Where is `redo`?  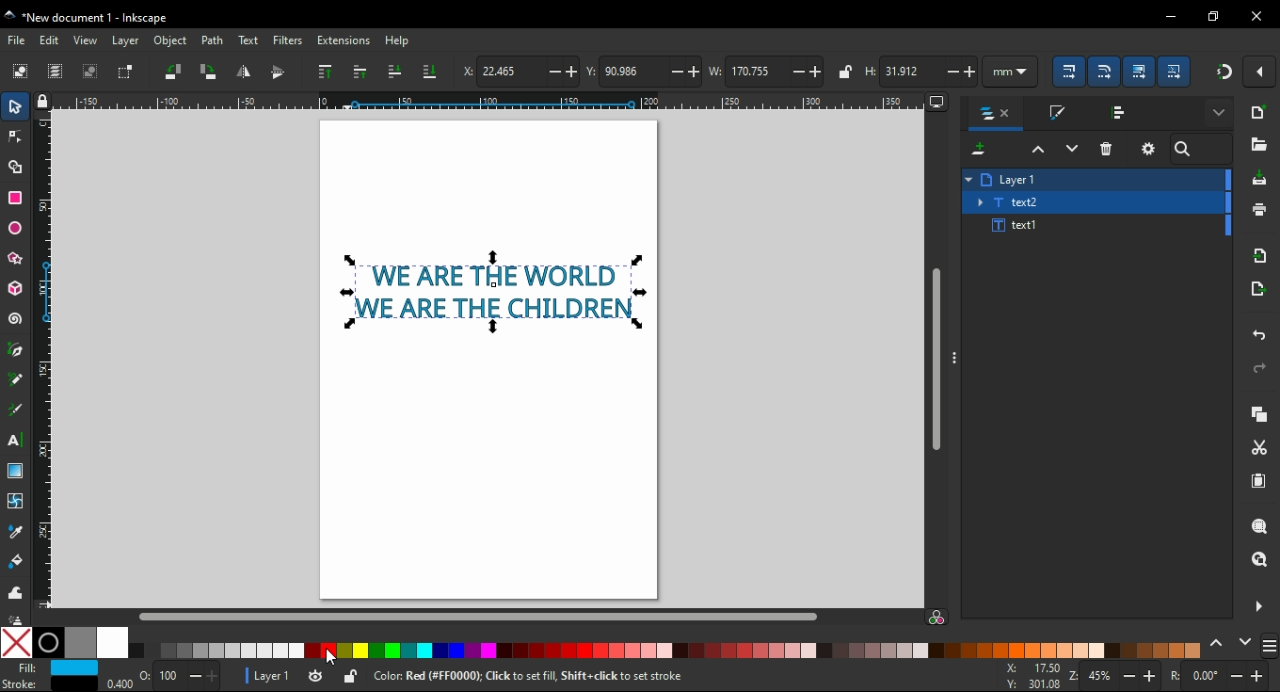
redo is located at coordinates (1260, 369).